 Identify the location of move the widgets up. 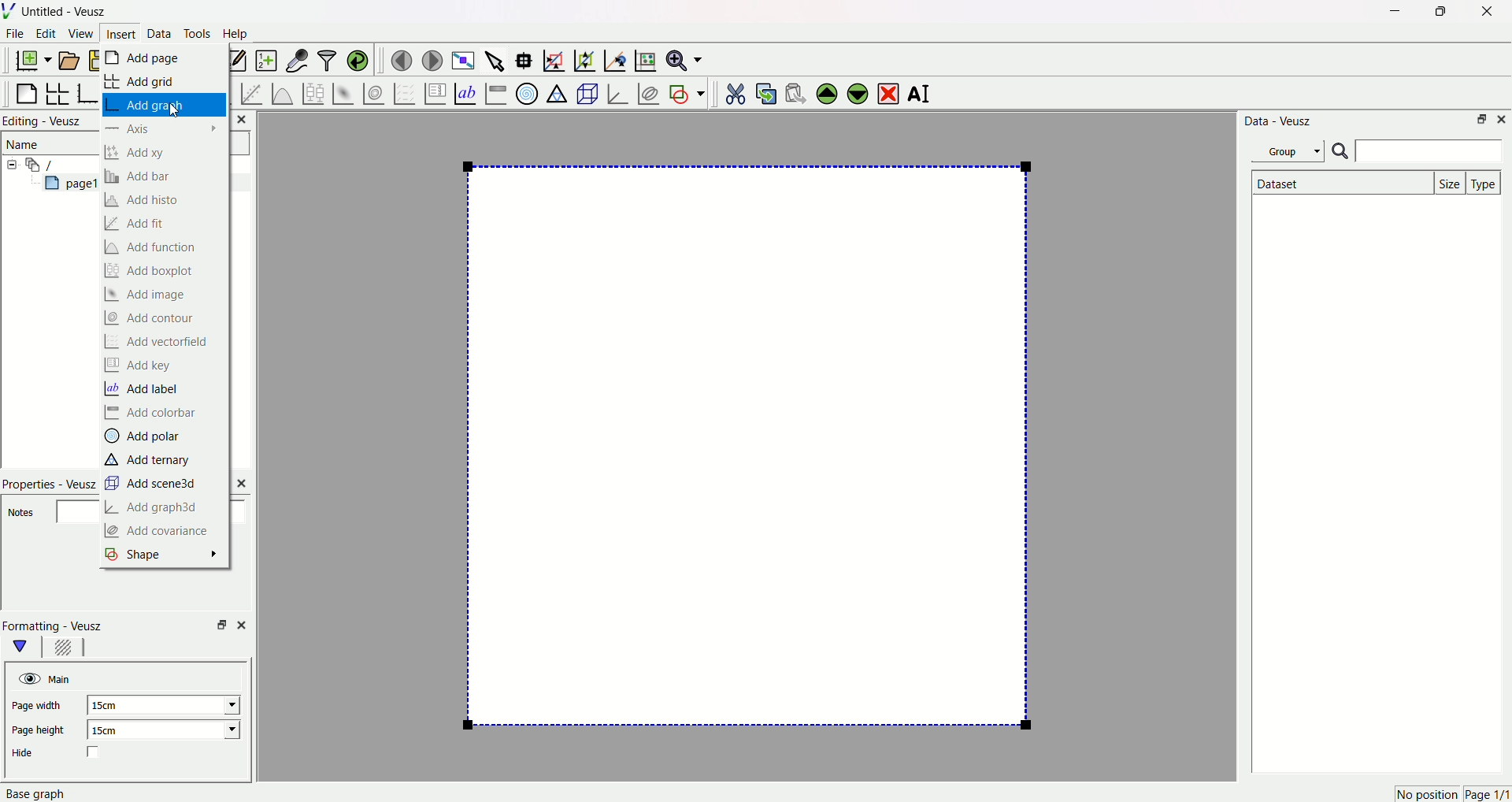
(827, 92).